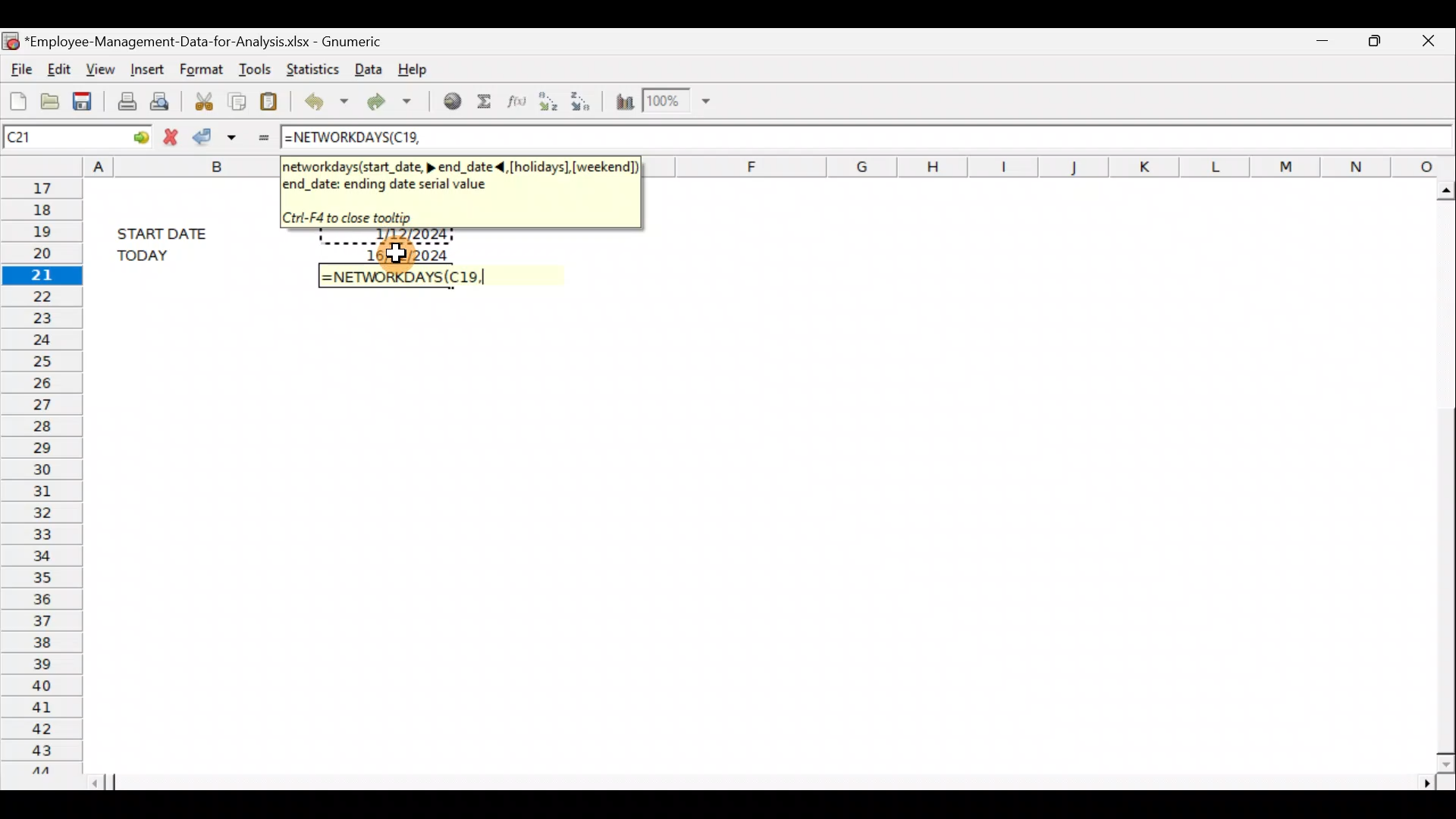 Image resolution: width=1456 pixels, height=819 pixels. I want to click on GO TO, so click(127, 136).